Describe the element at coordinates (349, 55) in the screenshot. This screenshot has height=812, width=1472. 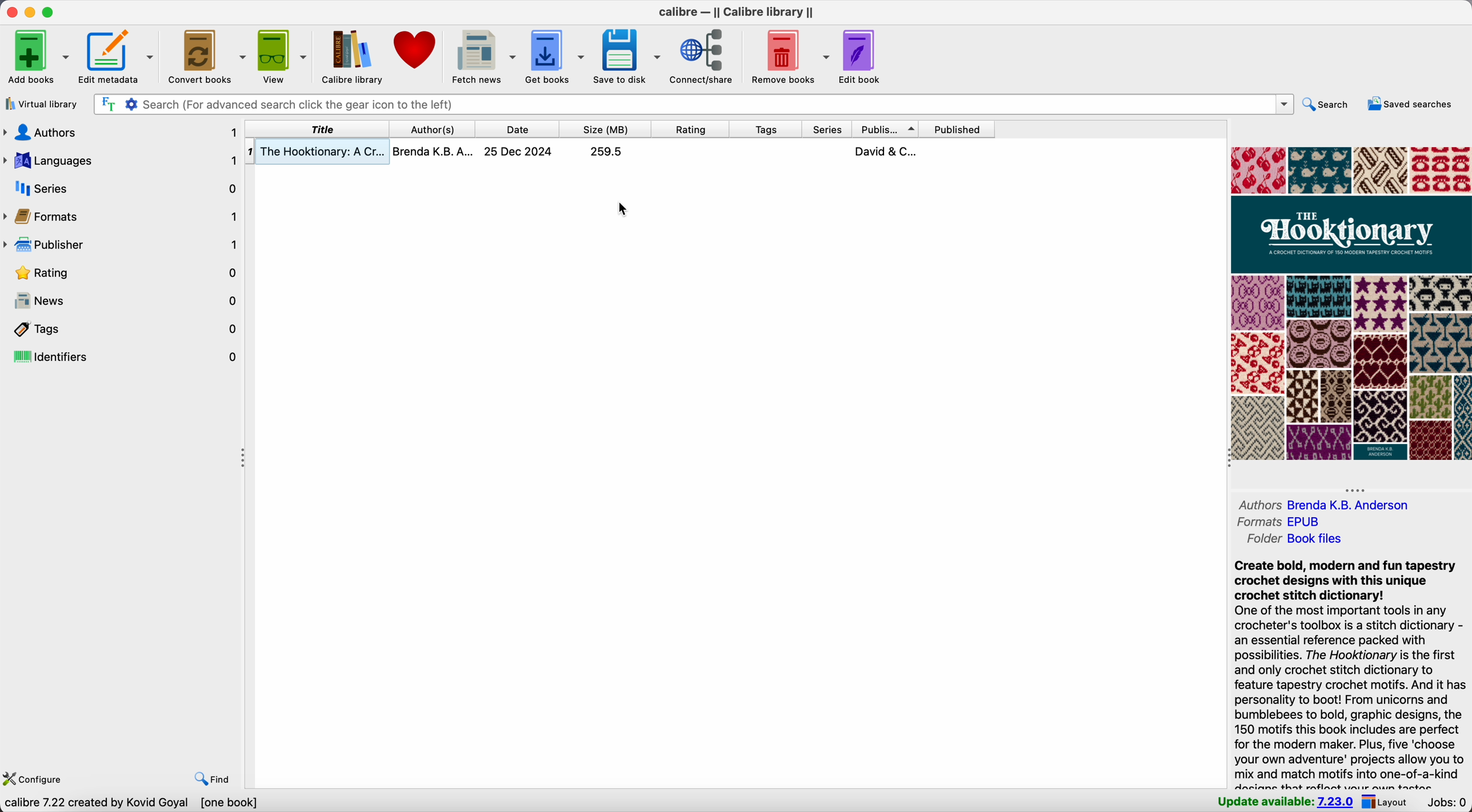
I see `Calibre library` at that location.